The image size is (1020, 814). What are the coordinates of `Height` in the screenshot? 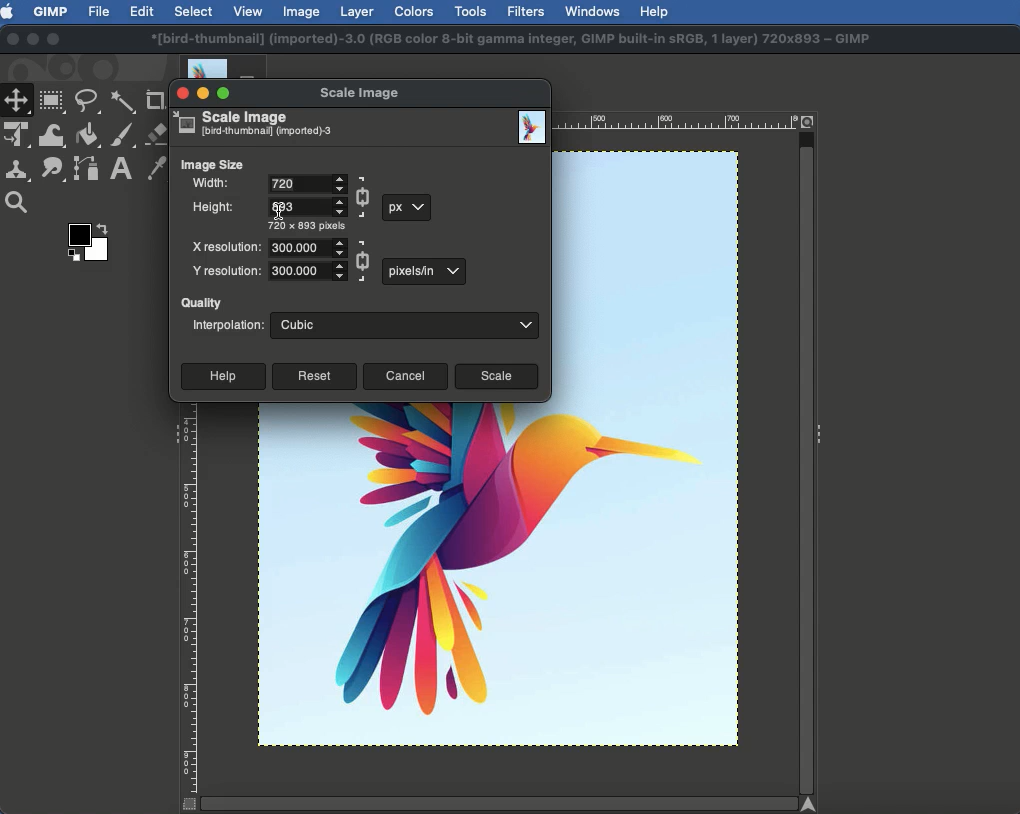 It's located at (216, 209).